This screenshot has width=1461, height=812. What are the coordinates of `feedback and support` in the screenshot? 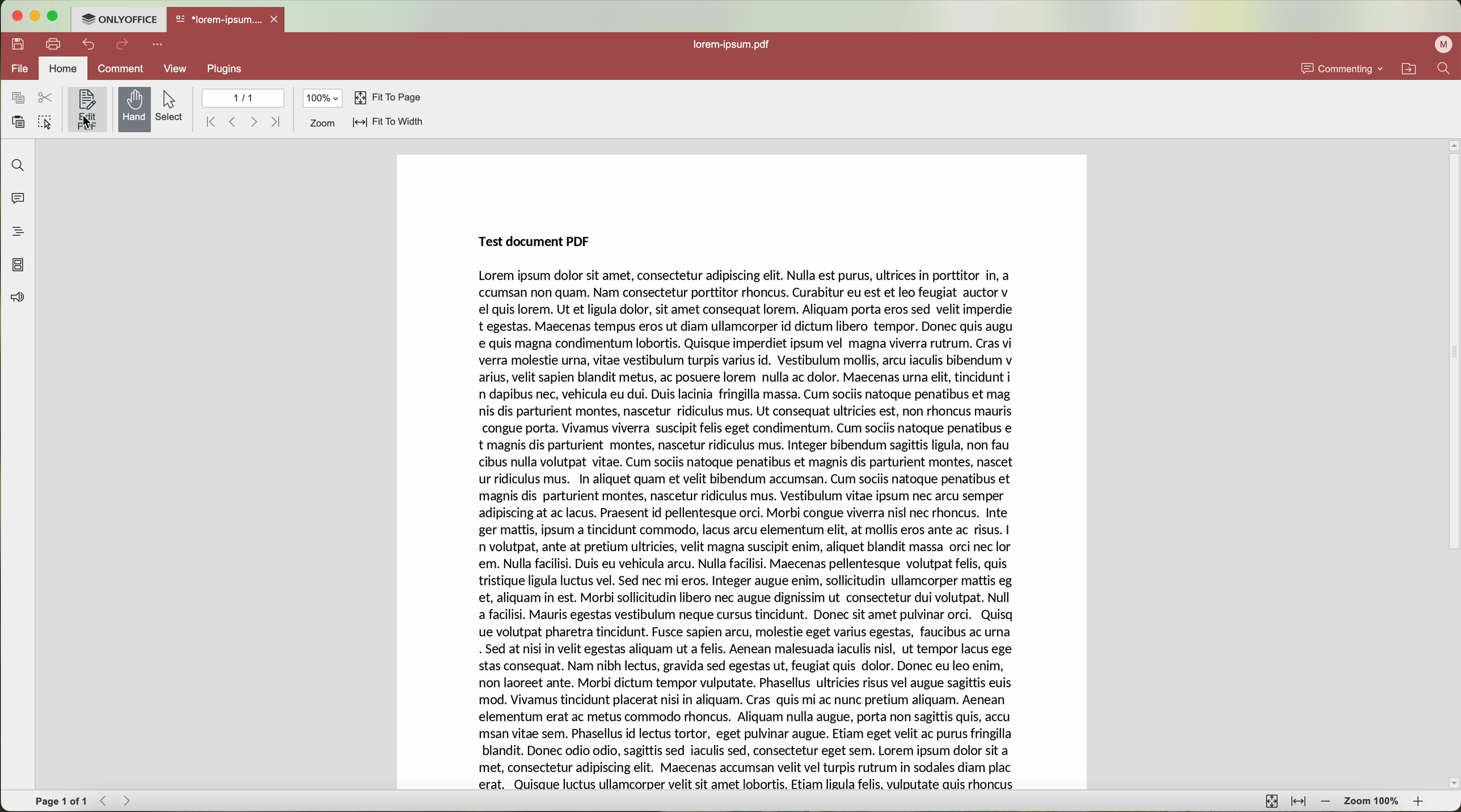 It's located at (18, 298).